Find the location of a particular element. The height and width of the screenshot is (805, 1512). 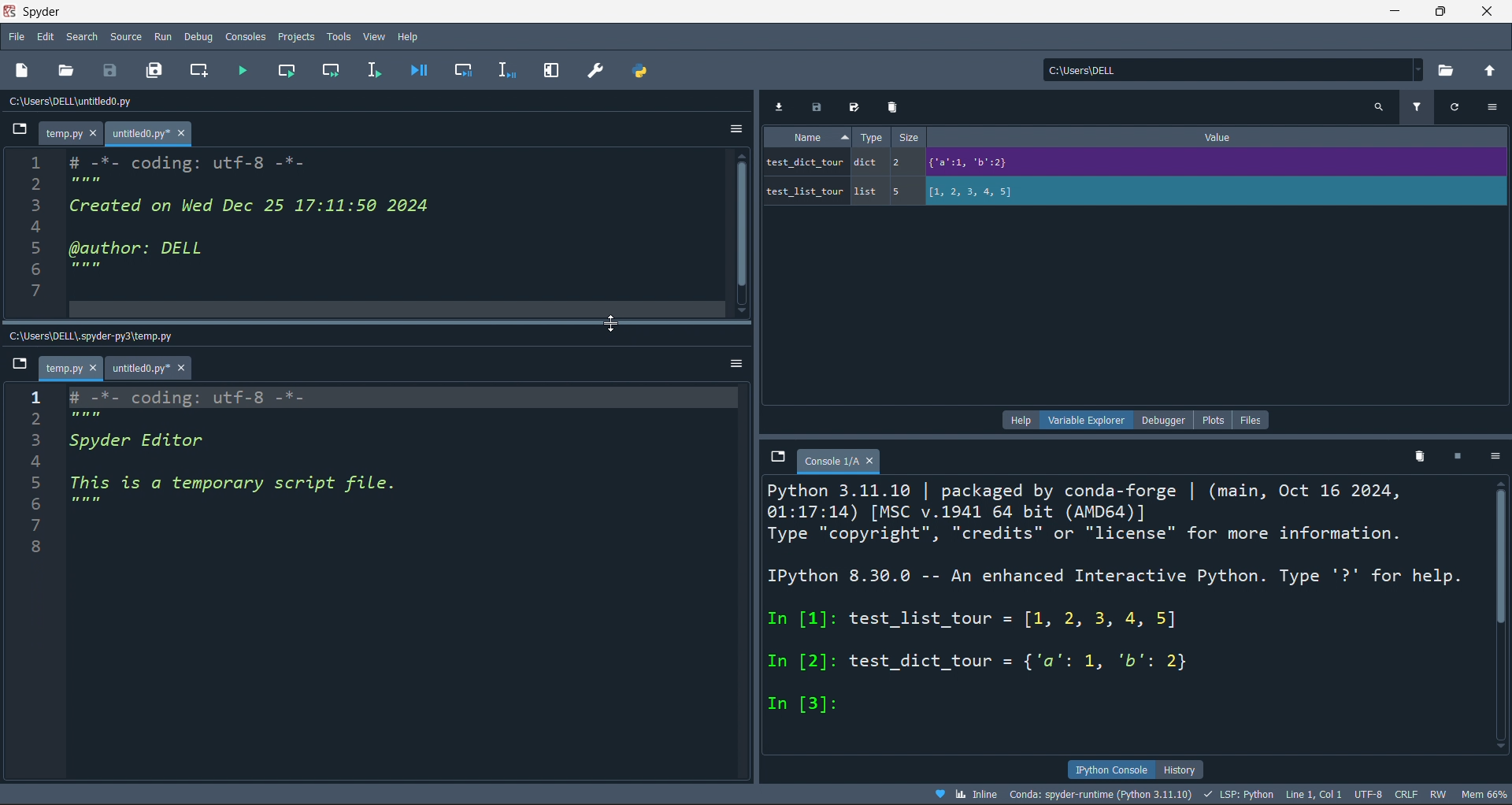

a | Name a Type Size Value is located at coordinates (1108, 138).